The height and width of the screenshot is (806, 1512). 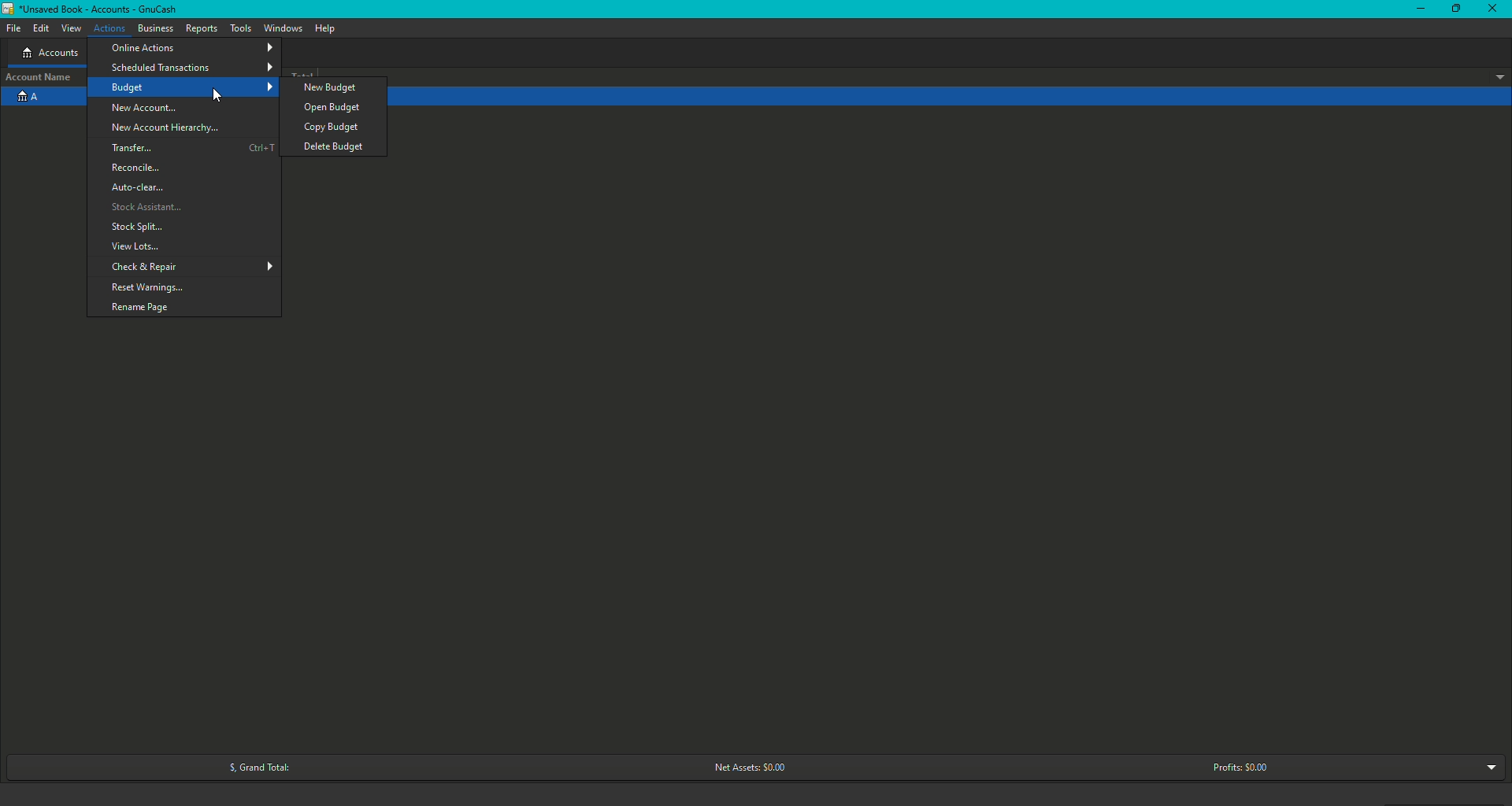 What do you see at coordinates (110, 30) in the screenshot?
I see `Actions` at bounding box center [110, 30].